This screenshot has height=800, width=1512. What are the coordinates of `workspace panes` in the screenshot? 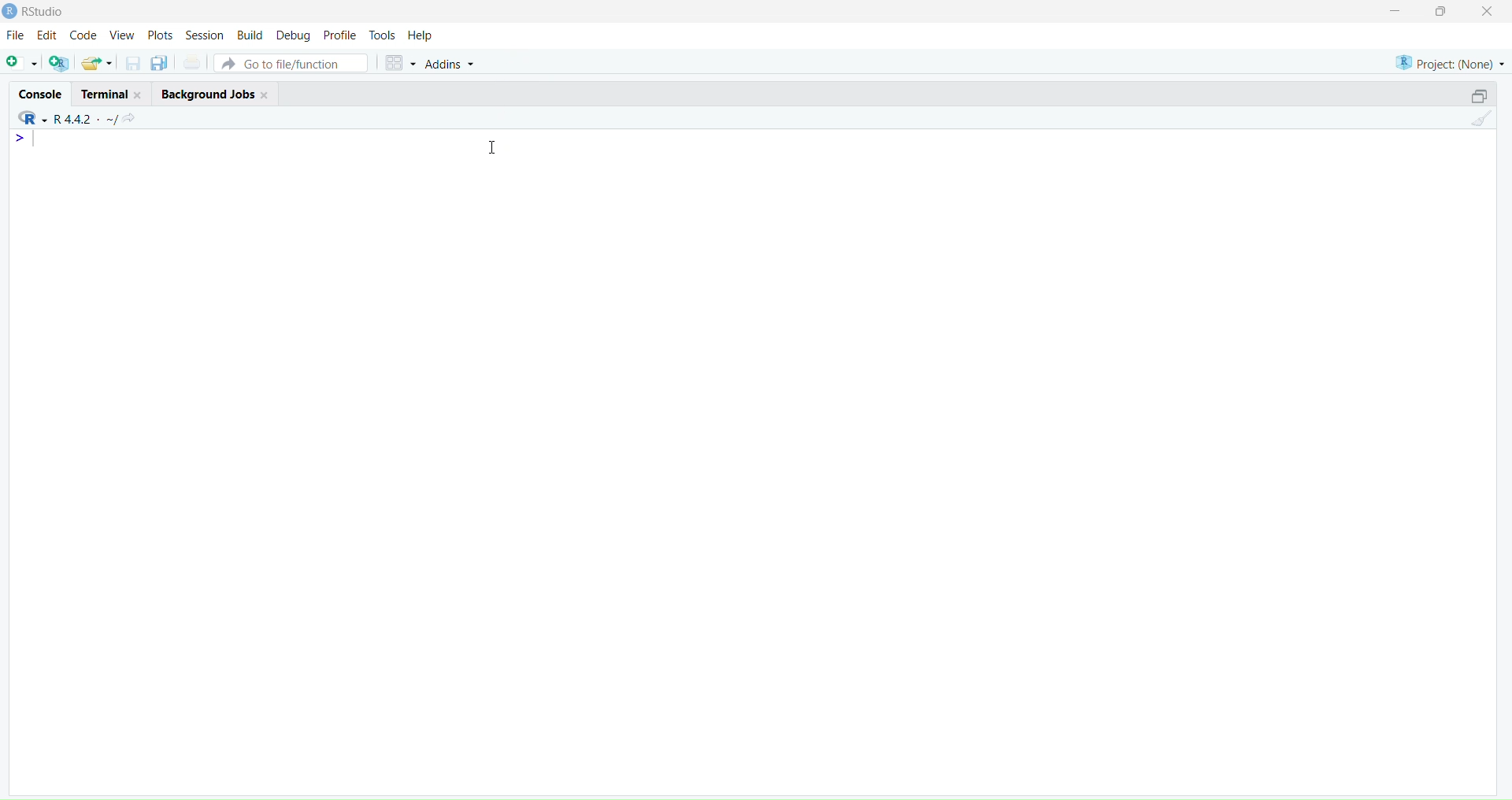 It's located at (398, 64).